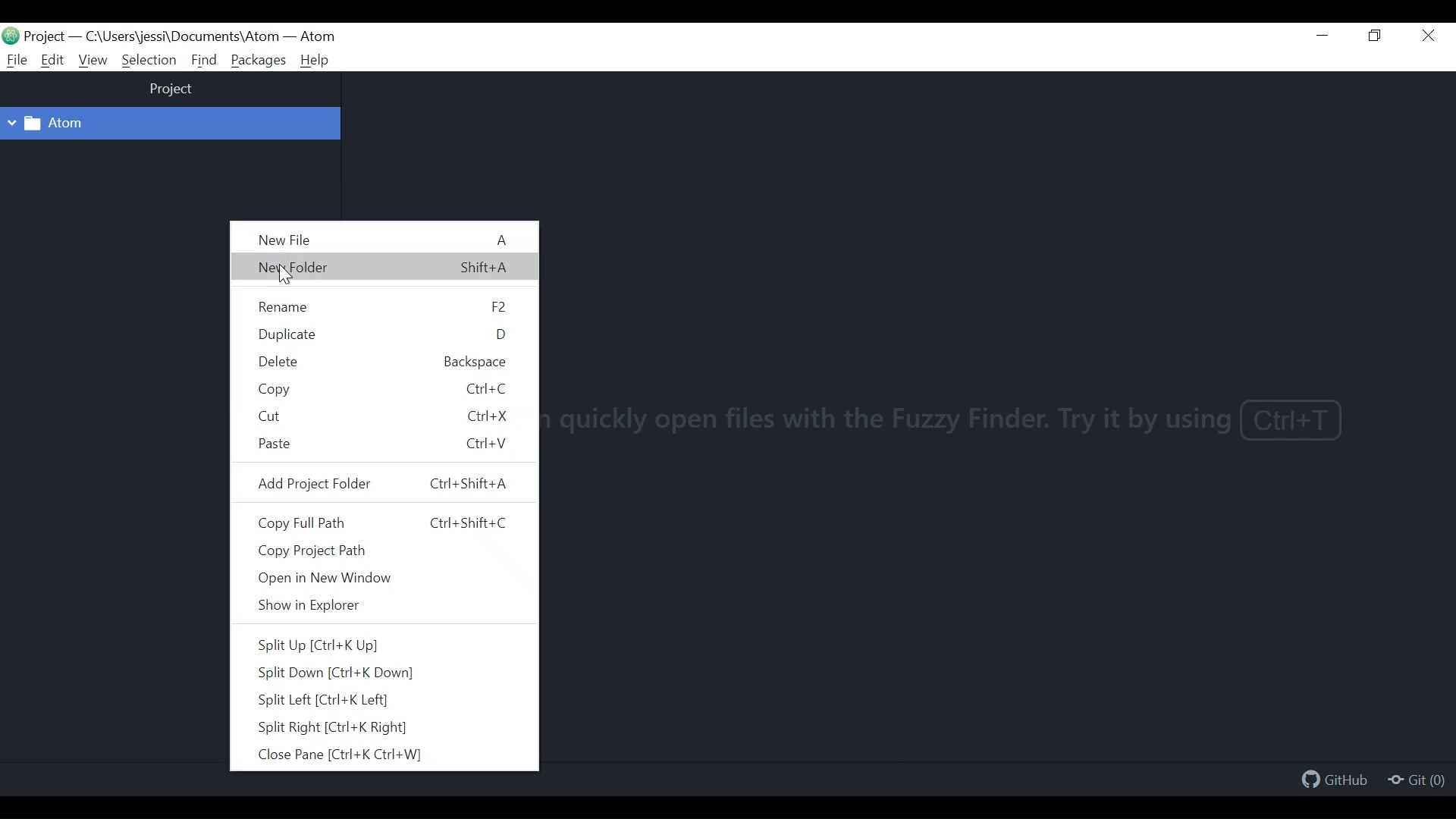  Describe the element at coordinates (284, 275) in the screenshot. I see `Cursor` at that location.